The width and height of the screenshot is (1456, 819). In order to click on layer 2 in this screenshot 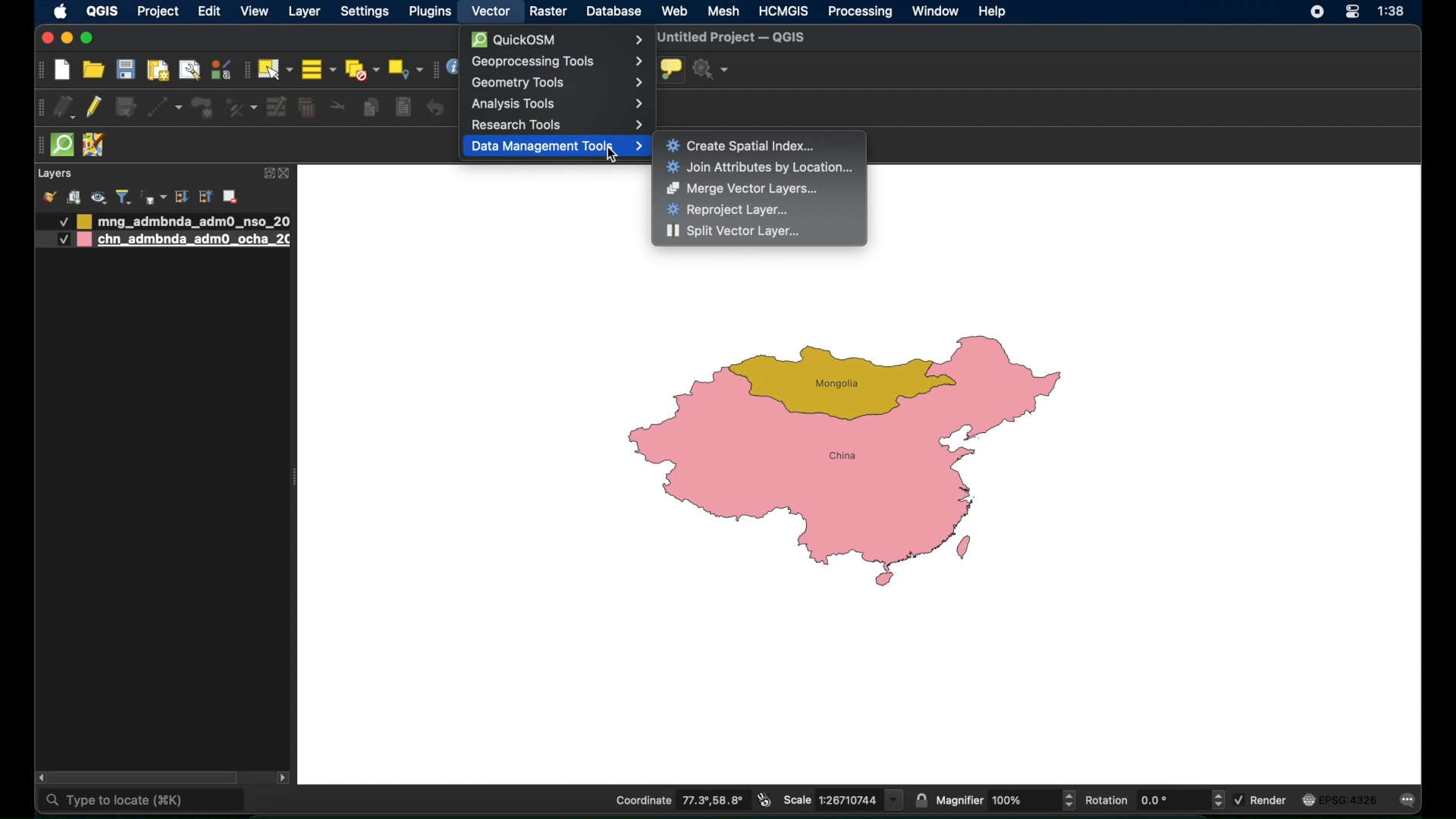, I will do `click(186, 240)`.